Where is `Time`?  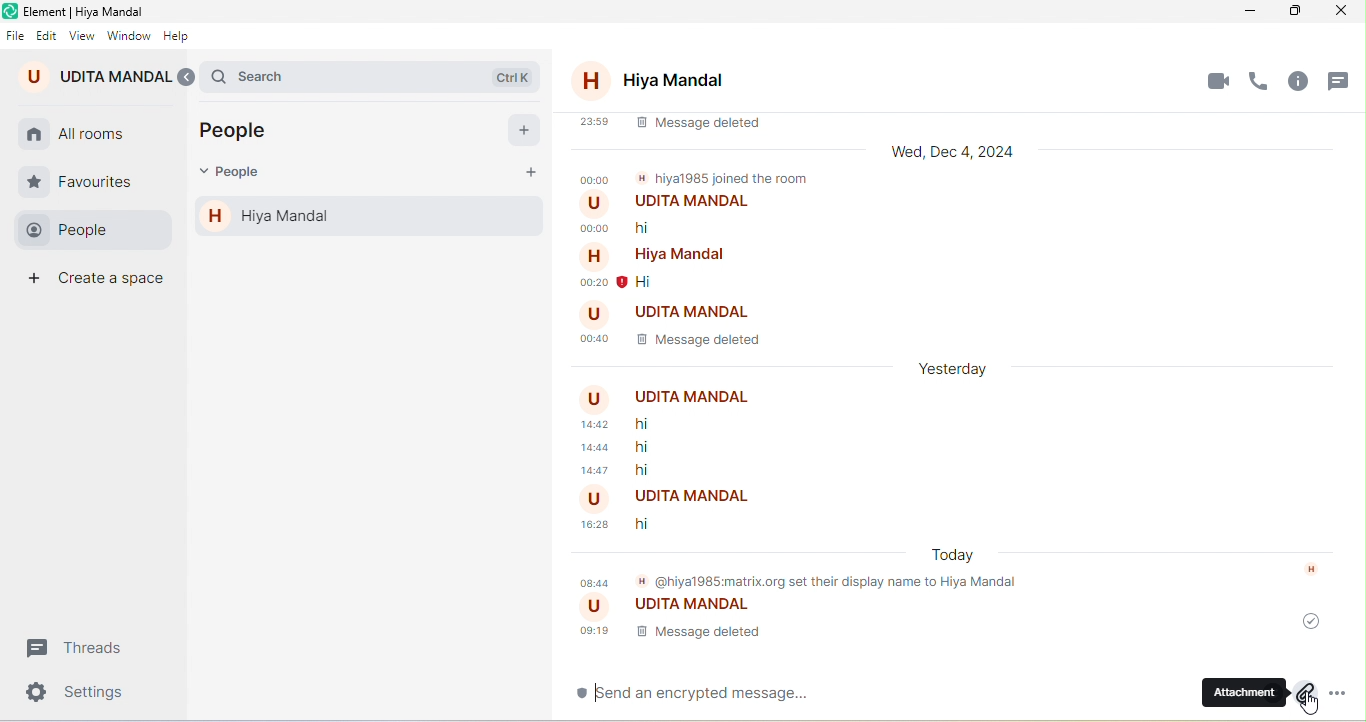
Time is located at coordinates (596, 341).